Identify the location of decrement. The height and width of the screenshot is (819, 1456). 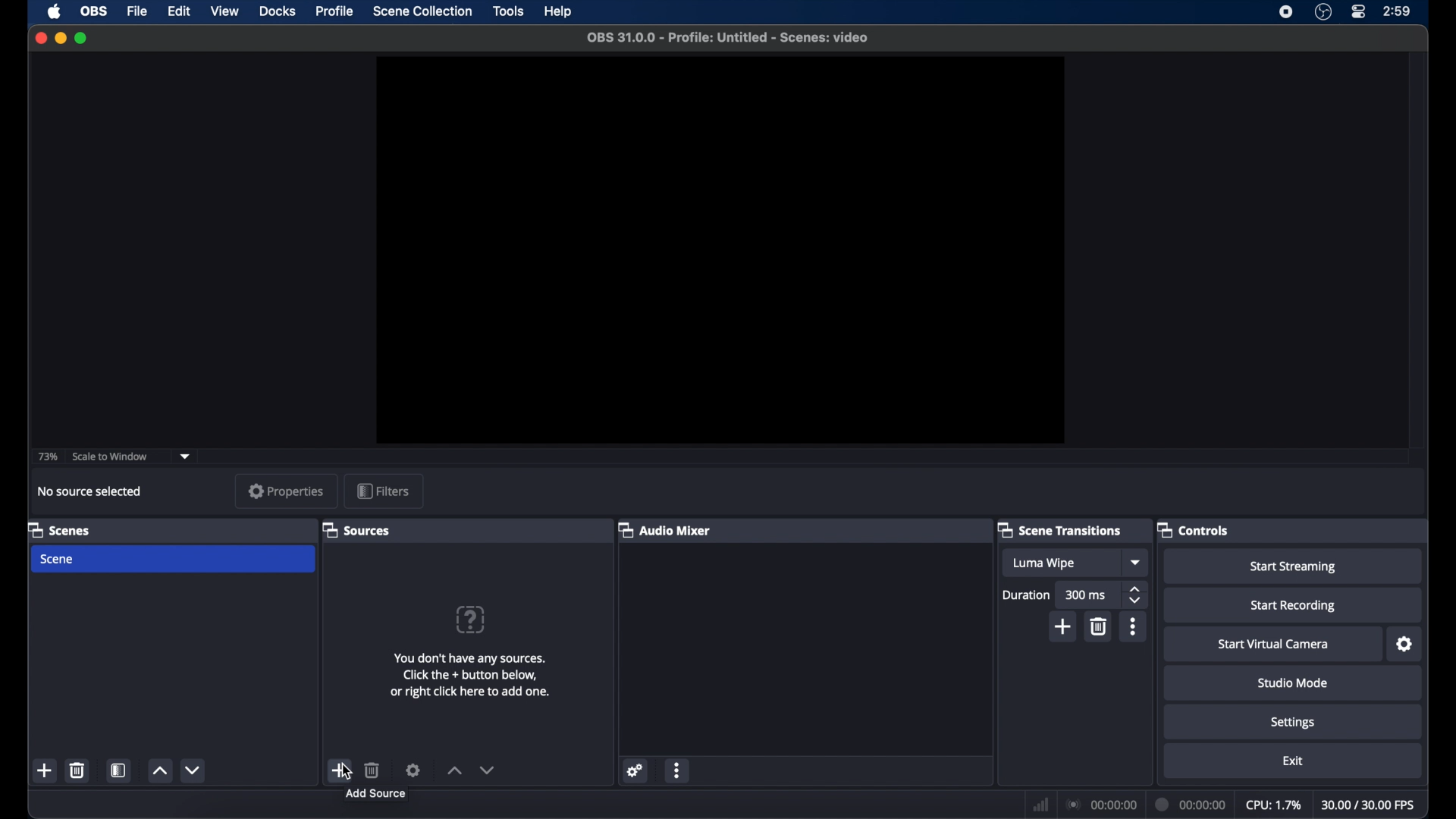
(194, 770).